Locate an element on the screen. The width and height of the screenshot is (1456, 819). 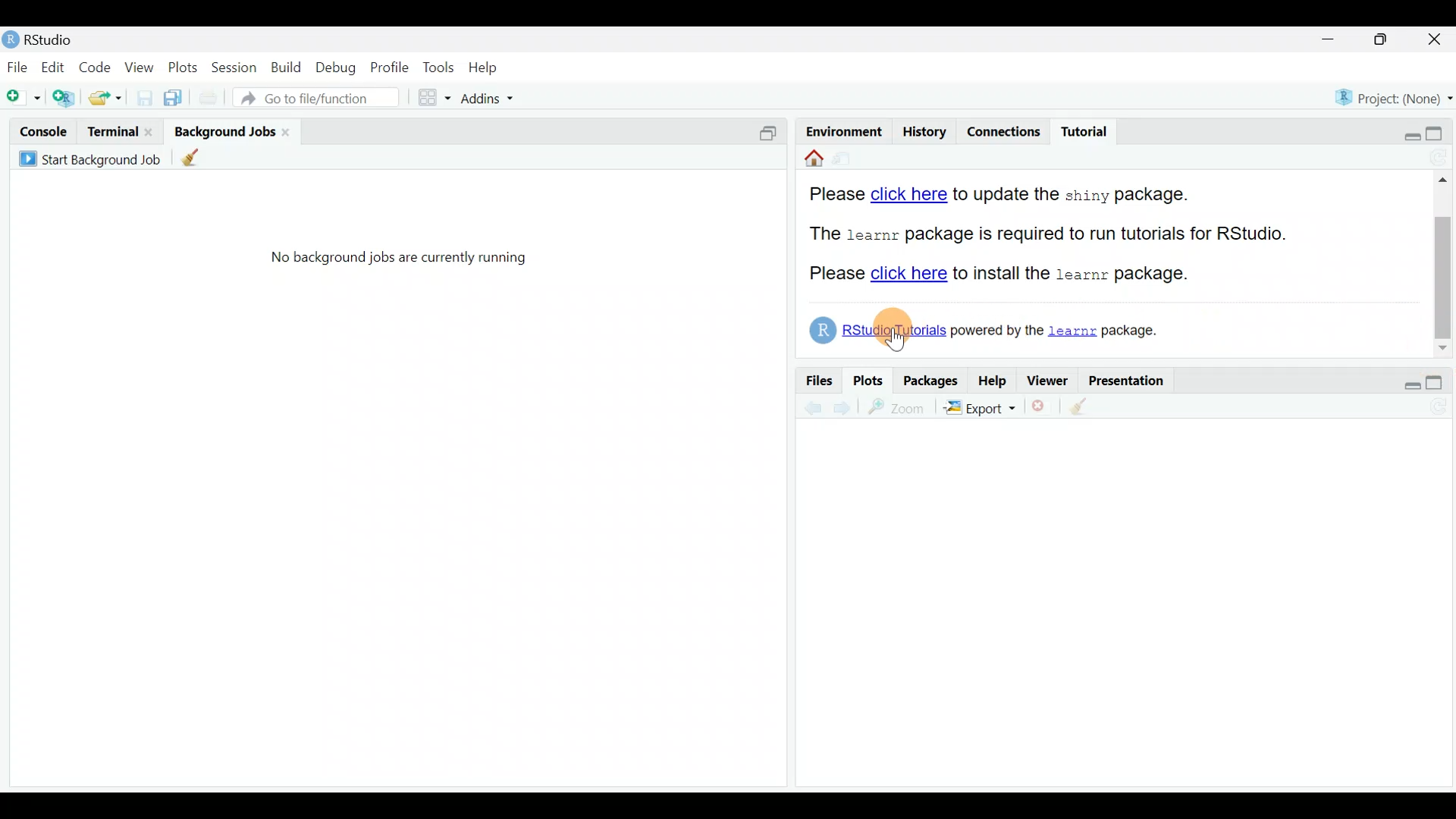
Plots is located at coordinates (868, 381).